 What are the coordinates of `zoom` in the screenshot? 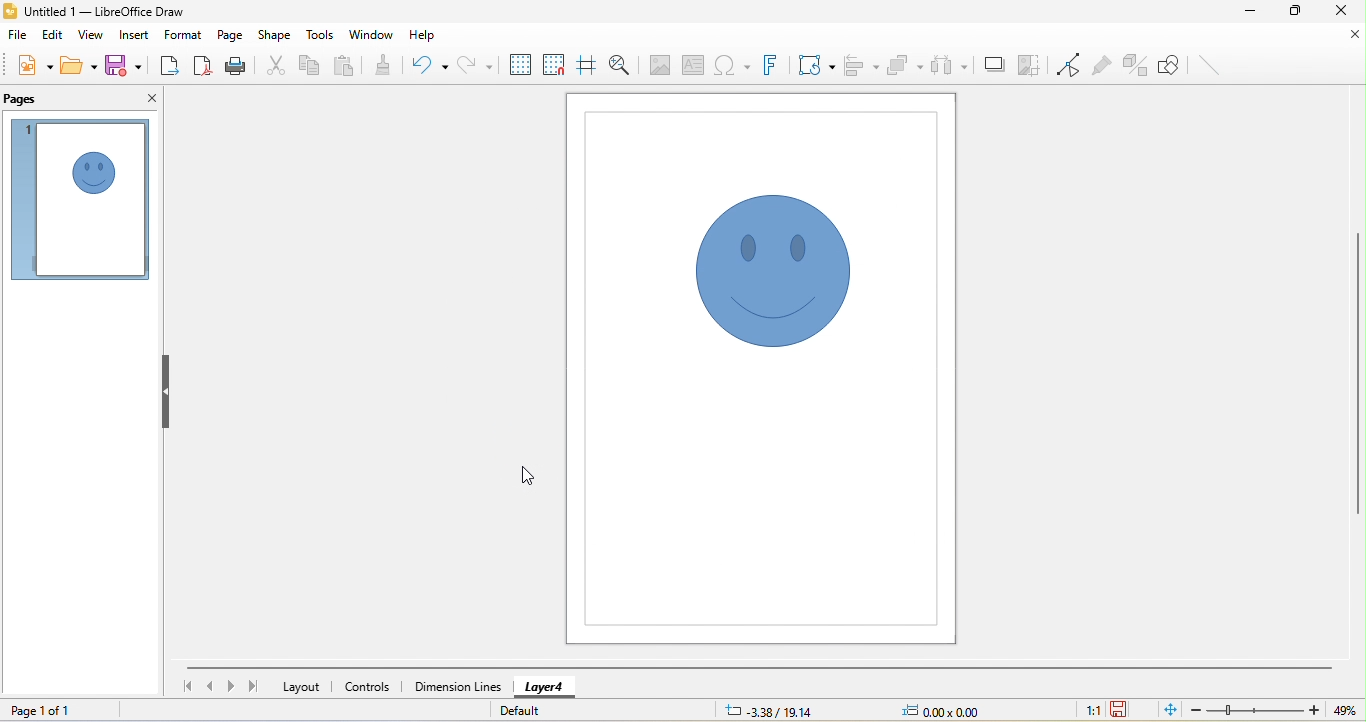 It's located at (1254, 710).